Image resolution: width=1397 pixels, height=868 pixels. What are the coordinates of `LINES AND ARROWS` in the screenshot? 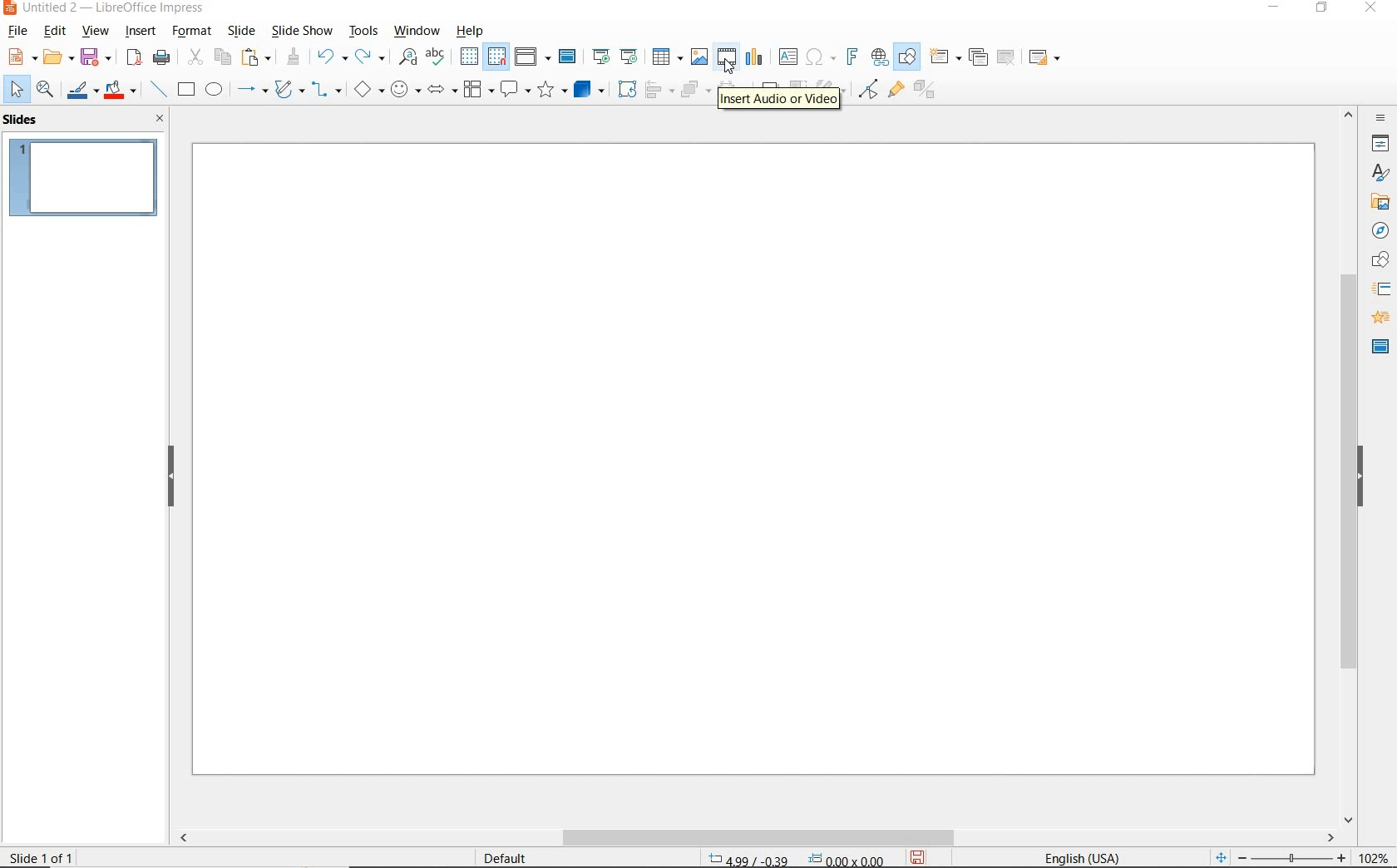 It's located at (251, 91).